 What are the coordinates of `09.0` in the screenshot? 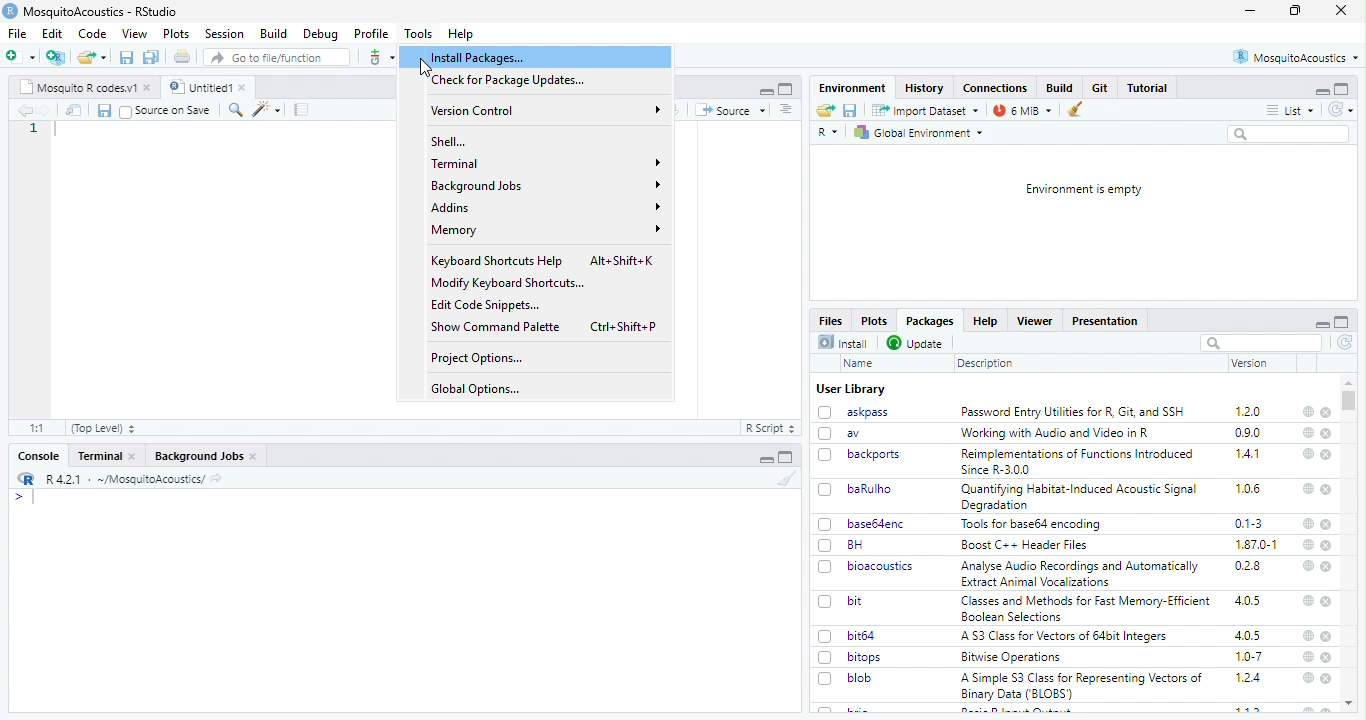 It's located at (1248, 433).